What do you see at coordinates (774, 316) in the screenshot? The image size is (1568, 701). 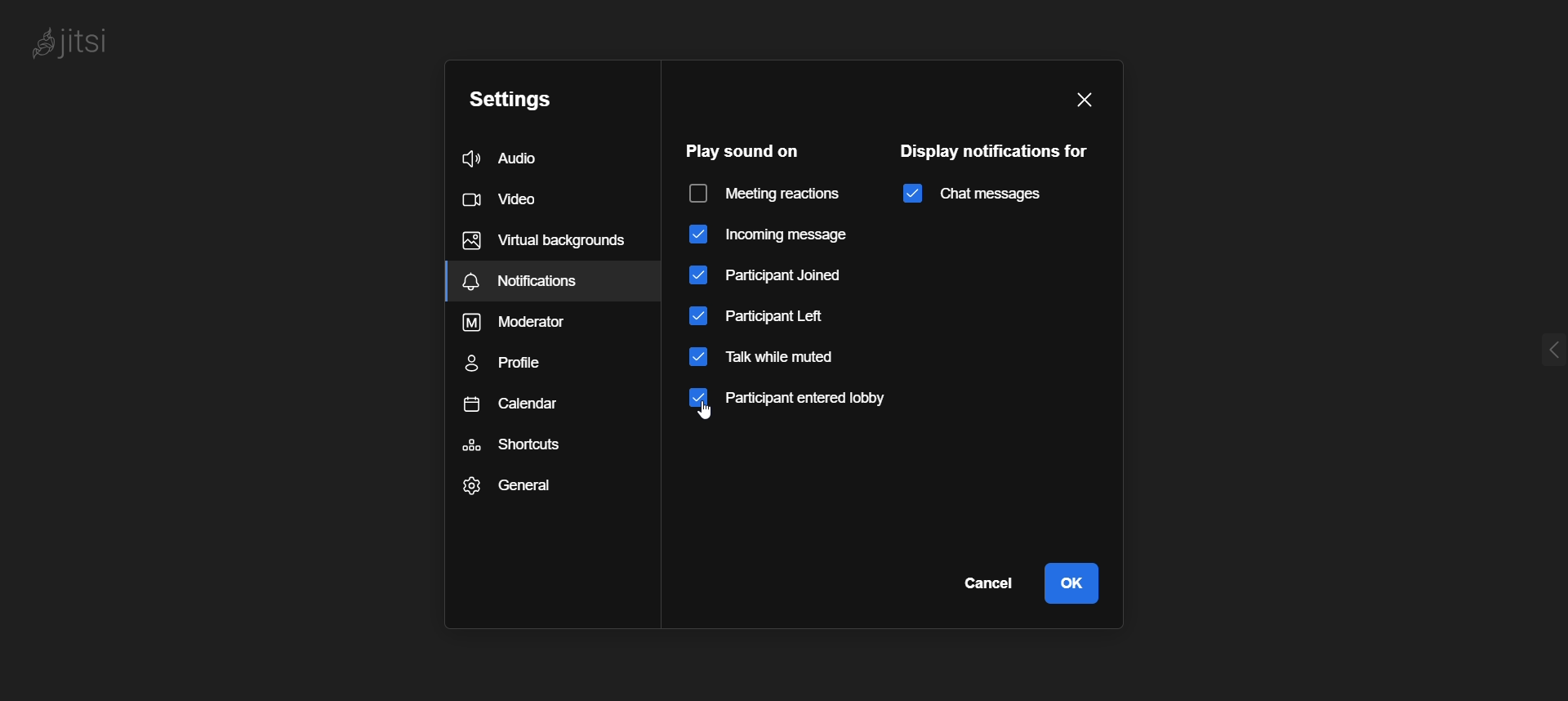 I see `participant left` at bounding box center [774, 316].